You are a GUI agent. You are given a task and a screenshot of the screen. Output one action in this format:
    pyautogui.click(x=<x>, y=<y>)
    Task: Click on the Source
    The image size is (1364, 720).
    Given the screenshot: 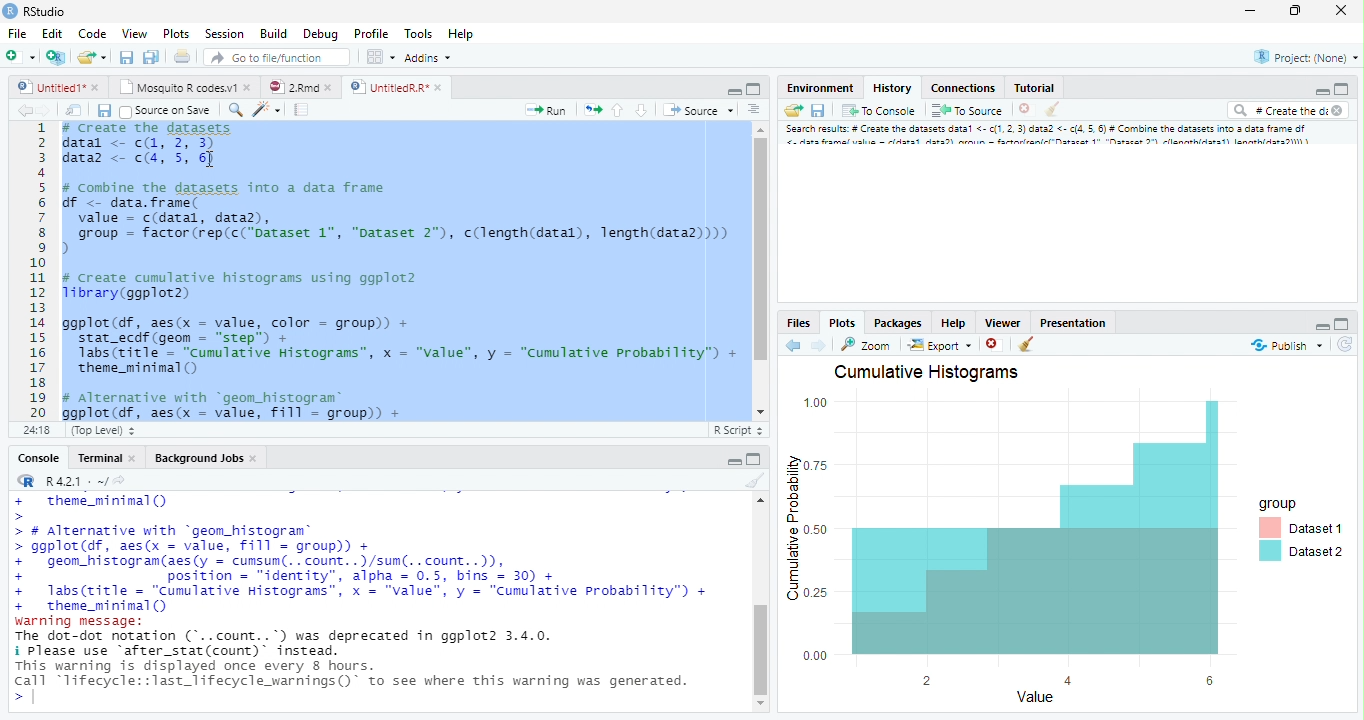 What is the action you would take?
    pyautogui.click(x=698, y=112)
    